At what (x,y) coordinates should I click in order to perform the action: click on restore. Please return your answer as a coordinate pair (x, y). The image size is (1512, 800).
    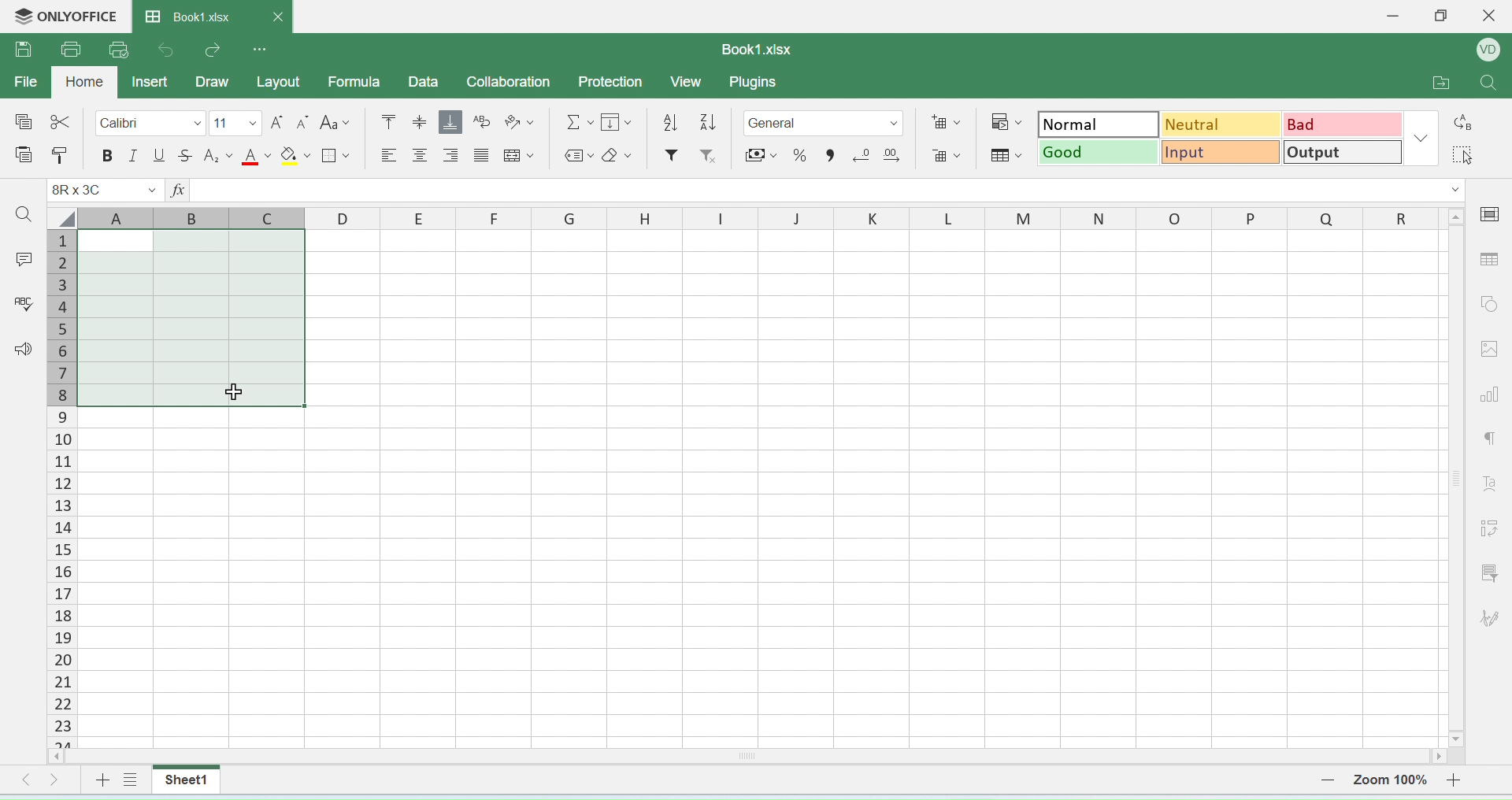
    Looking at the image, I should click on (1441, 18).